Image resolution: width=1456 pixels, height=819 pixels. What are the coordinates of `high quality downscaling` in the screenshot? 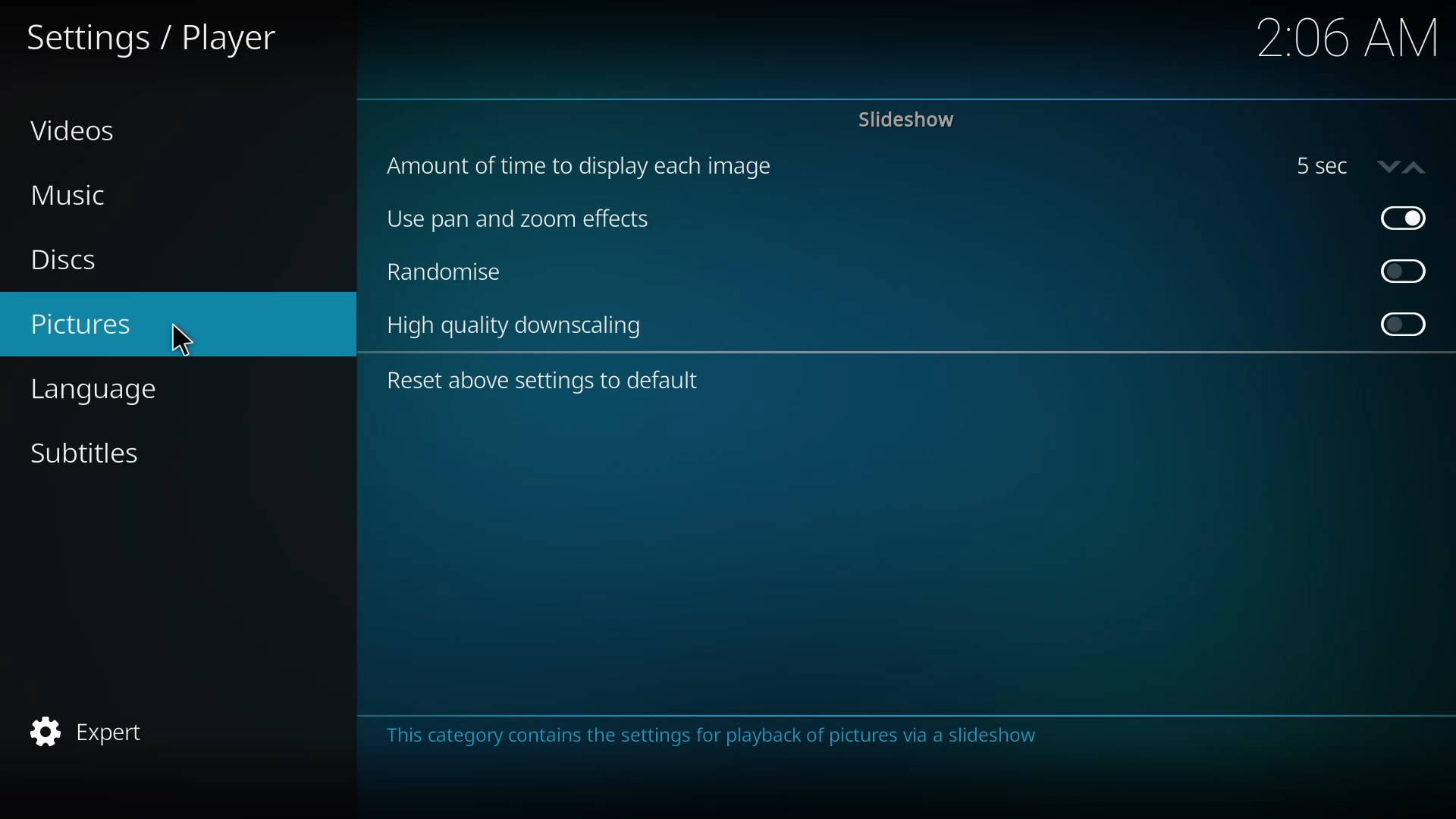 It's located at (519, 328).